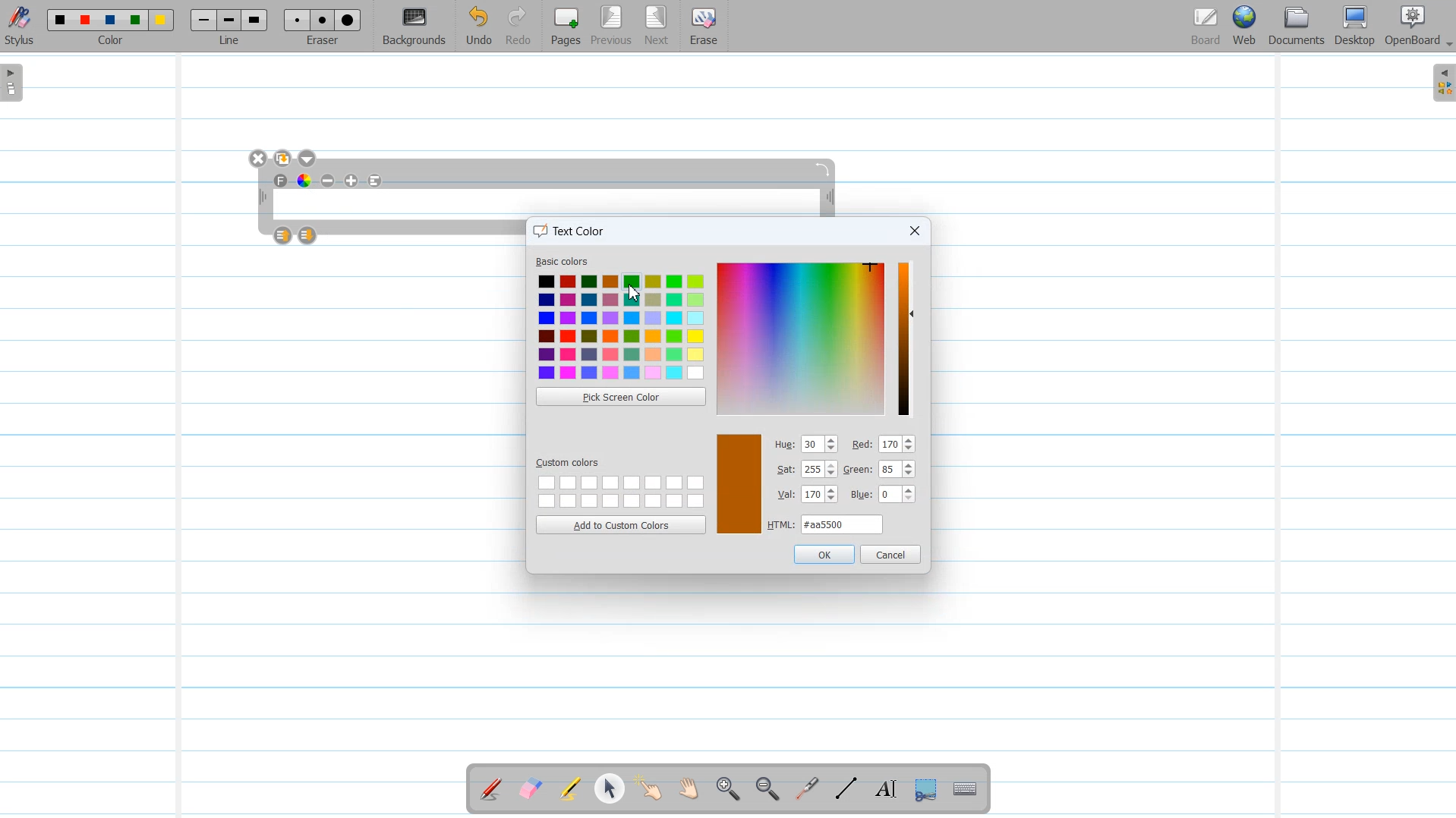  Describe the element at coordinates (376, 181) in the screenshot. I see `Align to left text` at that location.